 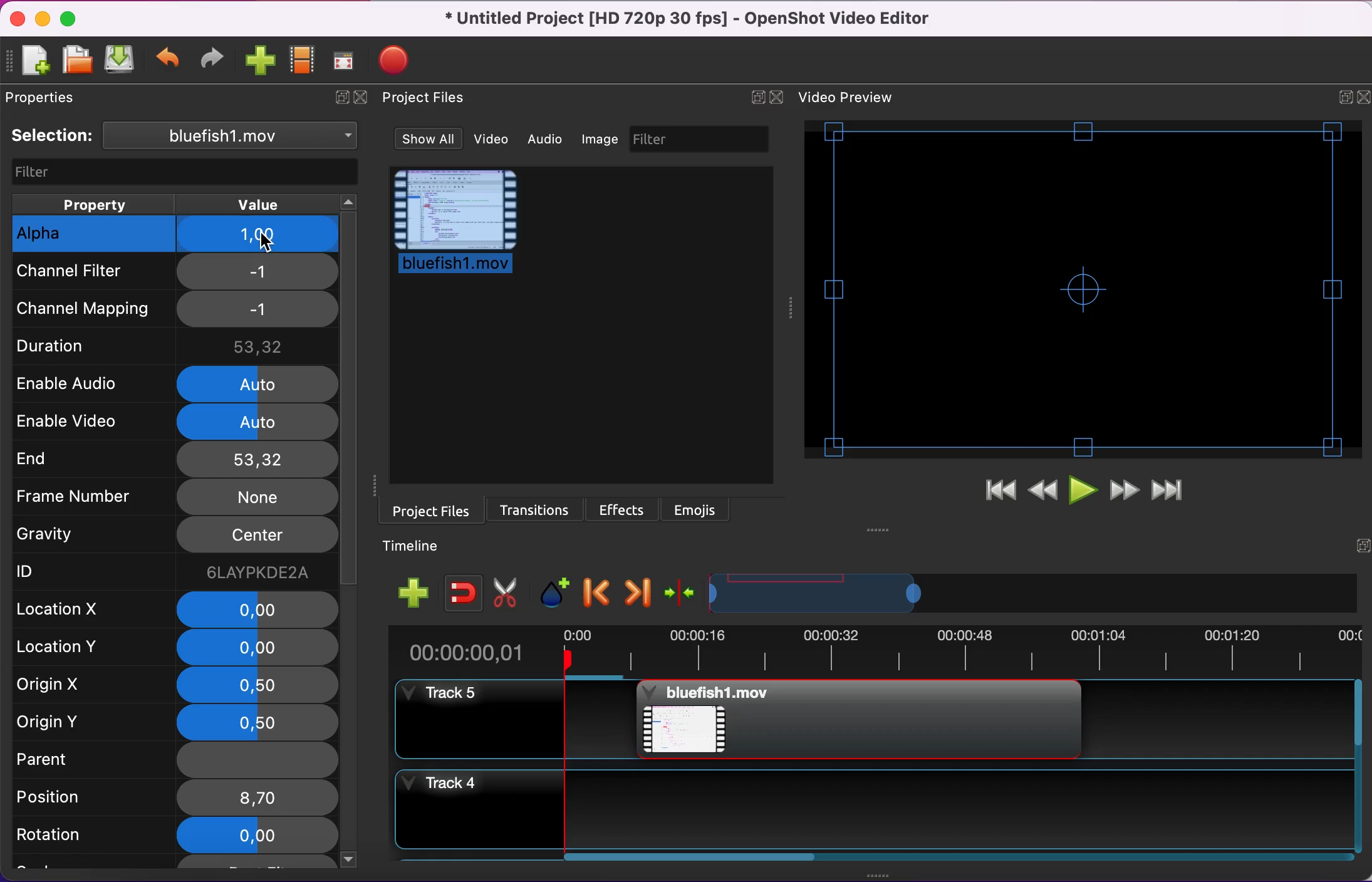 I want to click on rotation, so click(x=70, y=838).